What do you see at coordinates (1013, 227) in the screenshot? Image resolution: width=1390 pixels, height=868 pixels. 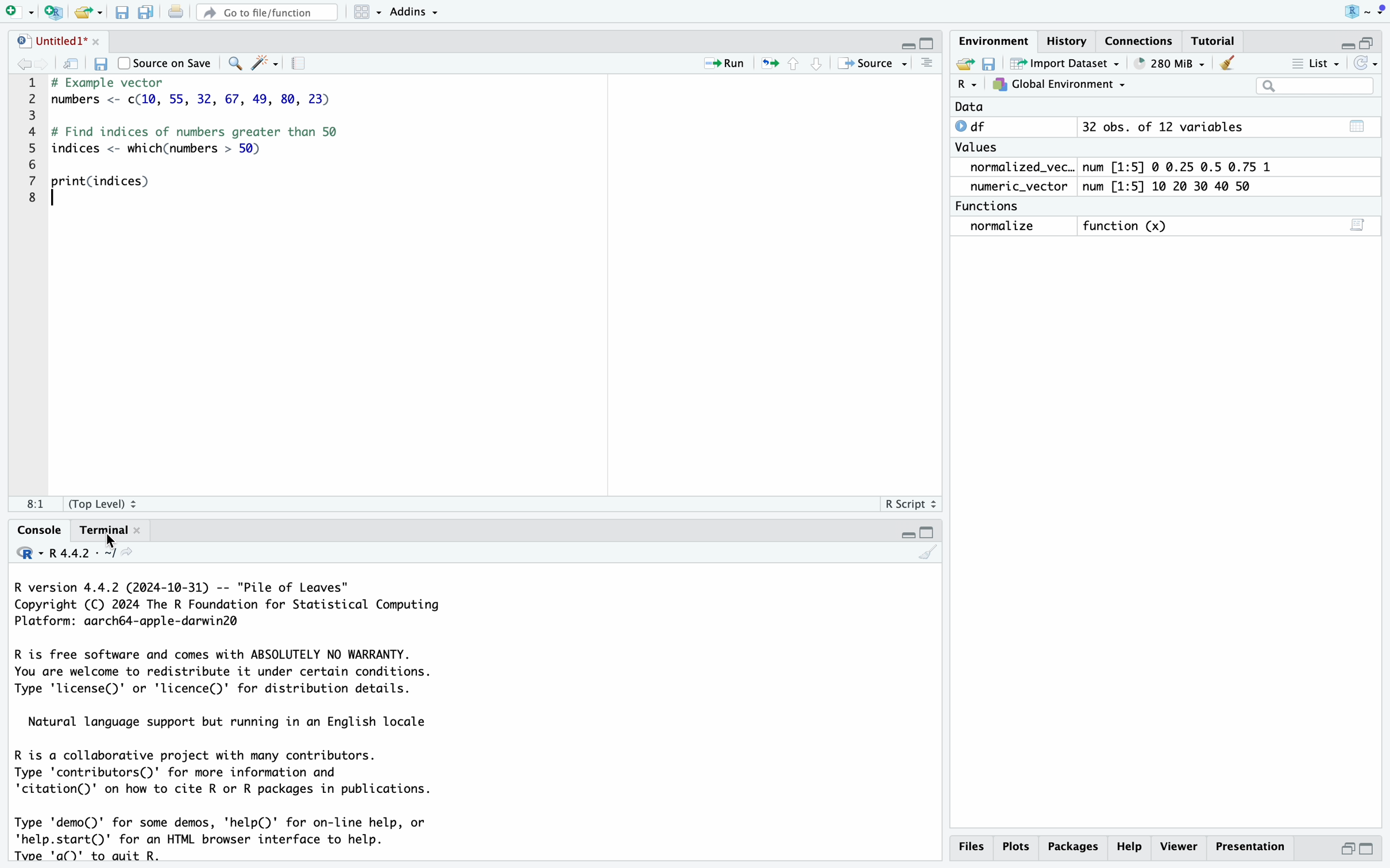 I see `normalize` at bounding box center [1013, 227].